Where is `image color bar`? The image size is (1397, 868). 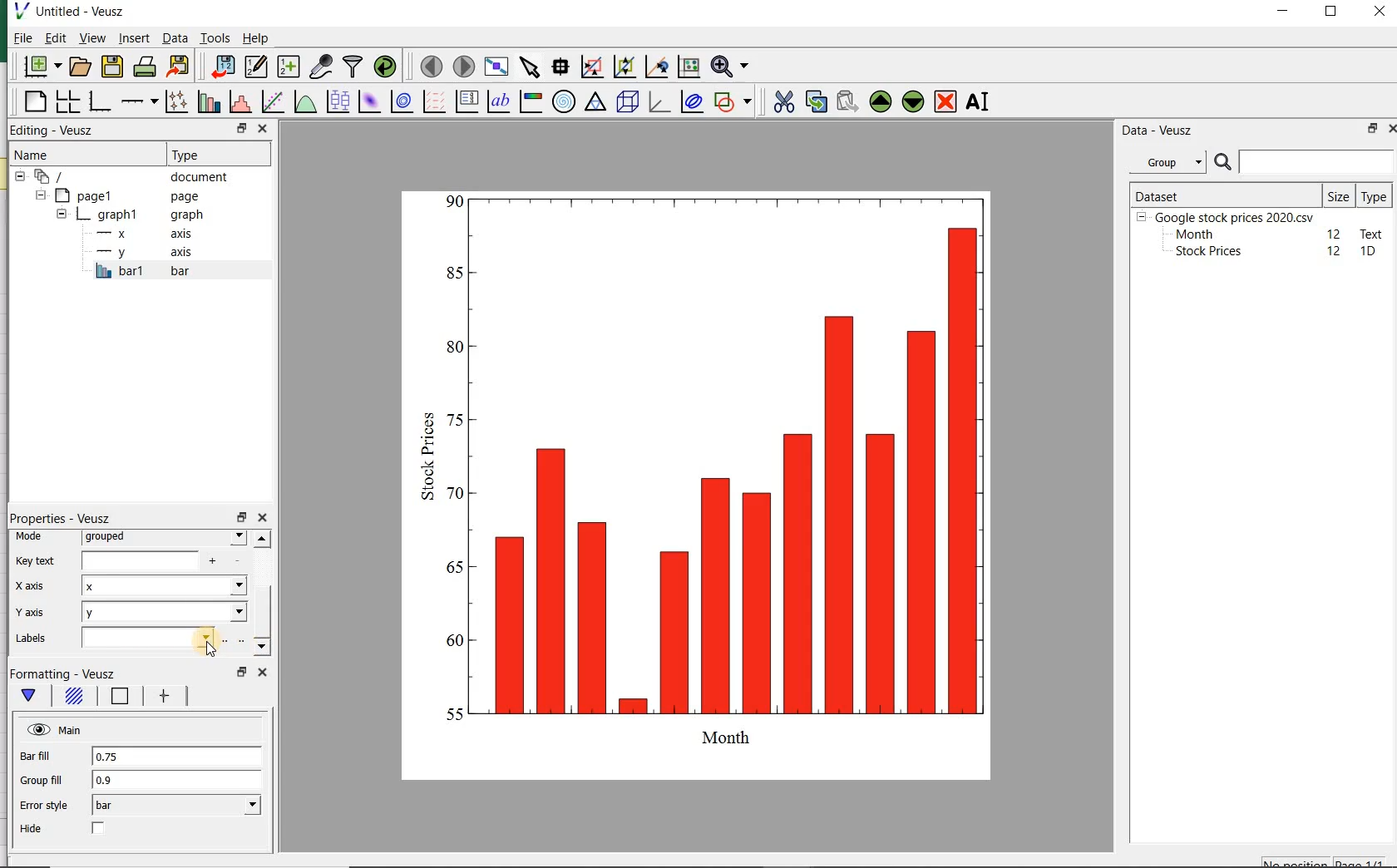
image color bar is located at coordinates (529, 101).